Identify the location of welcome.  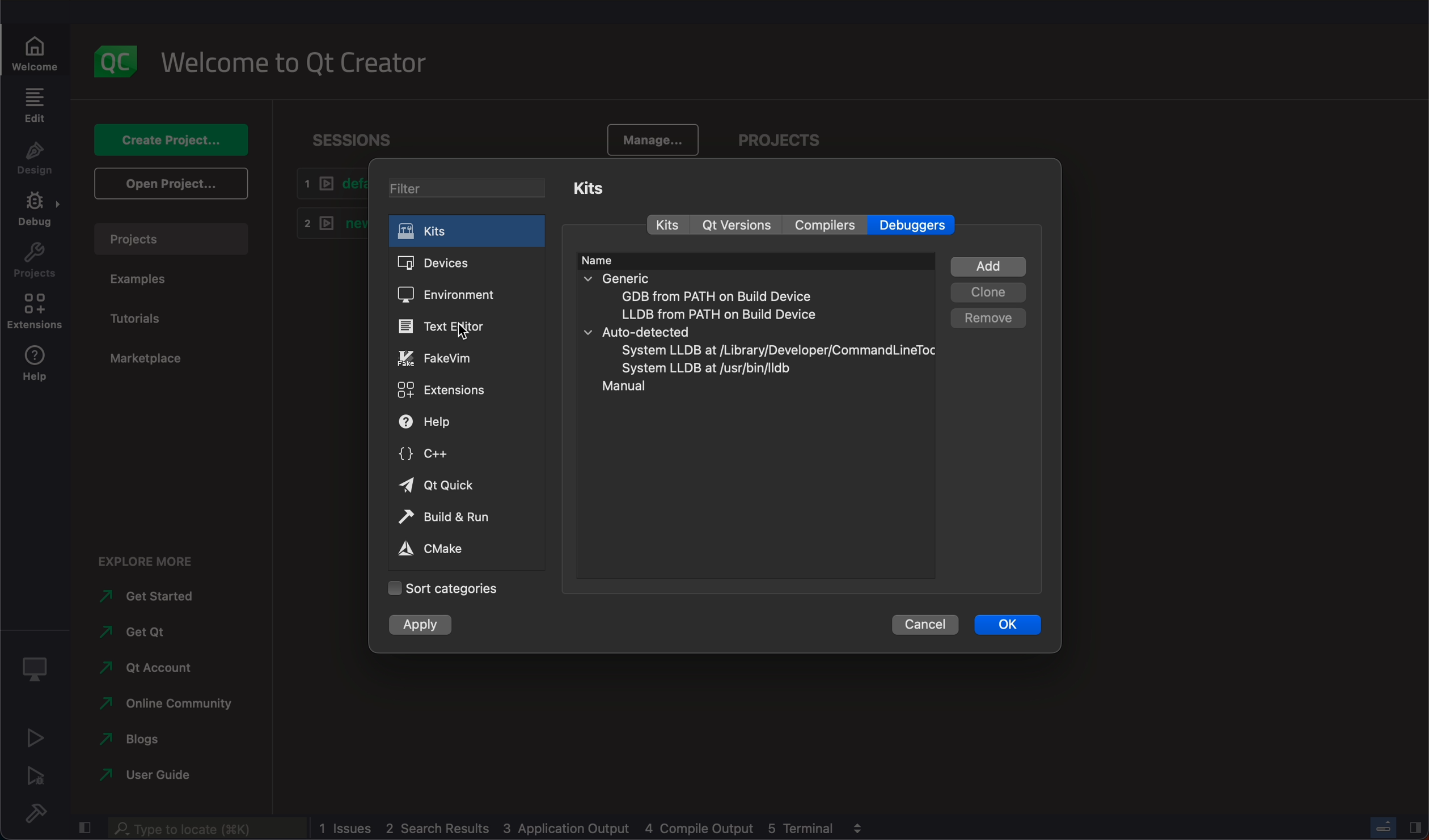
(39, 47).